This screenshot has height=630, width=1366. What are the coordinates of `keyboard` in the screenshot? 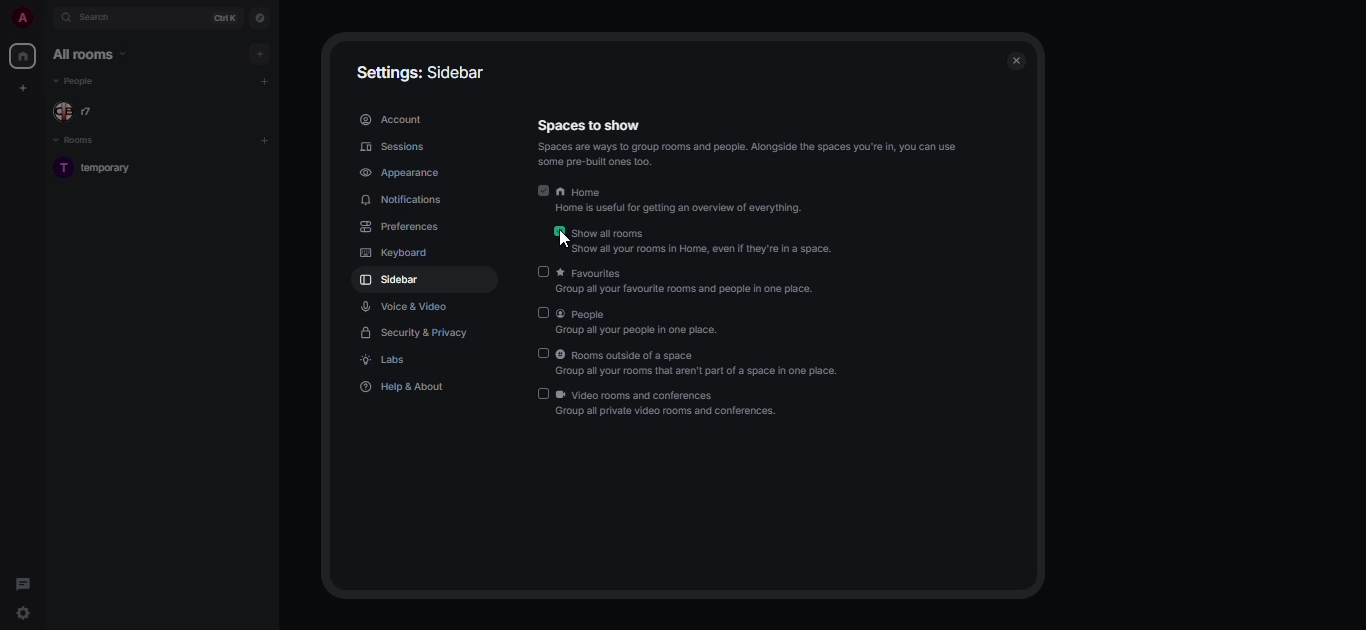 It's located at (395, 253).